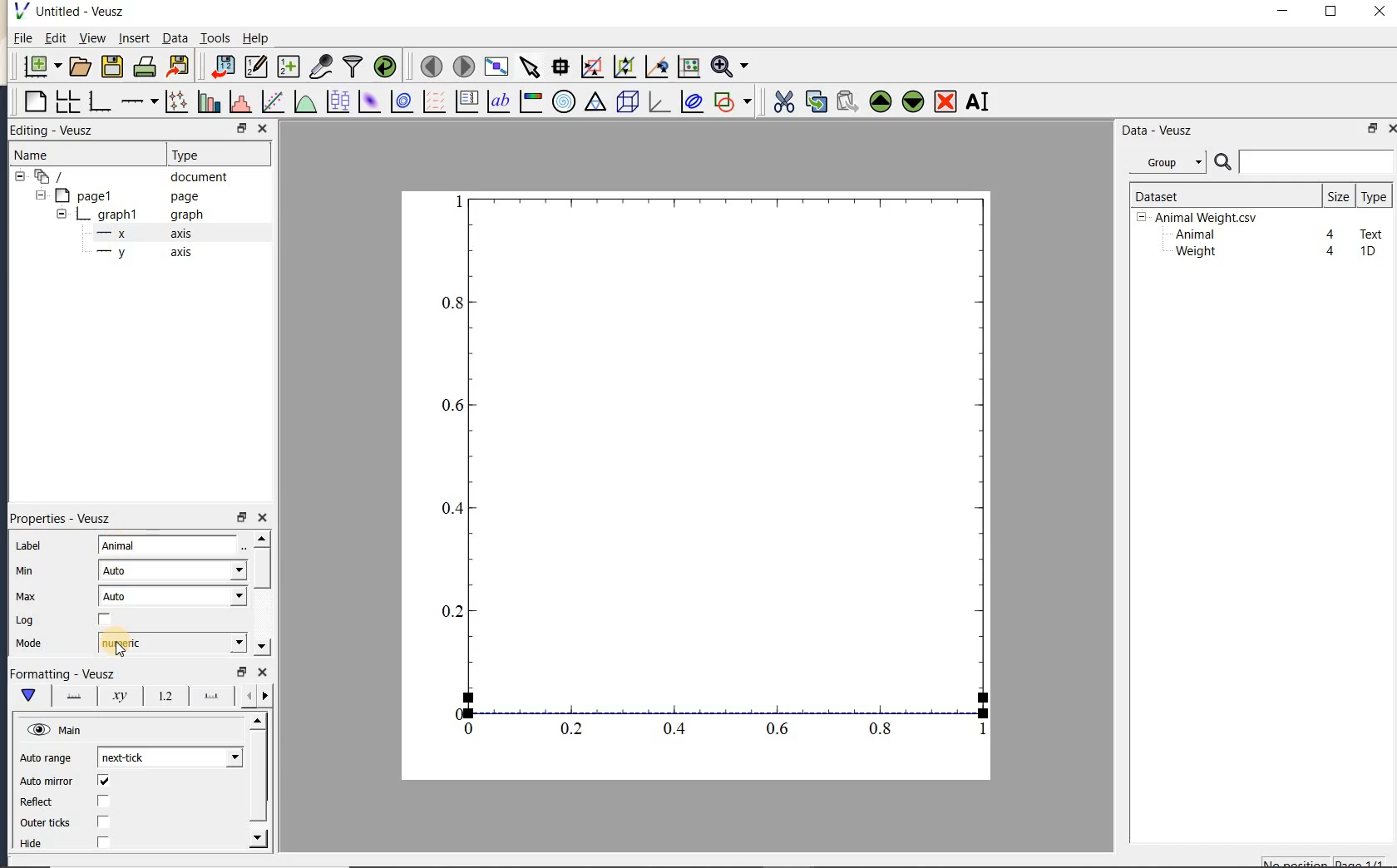 This screenshot has height=868, width=1397. Describe the element at coordinates (847, 103) in the screenshot. I see `paste widget from the clipboard` at that location.